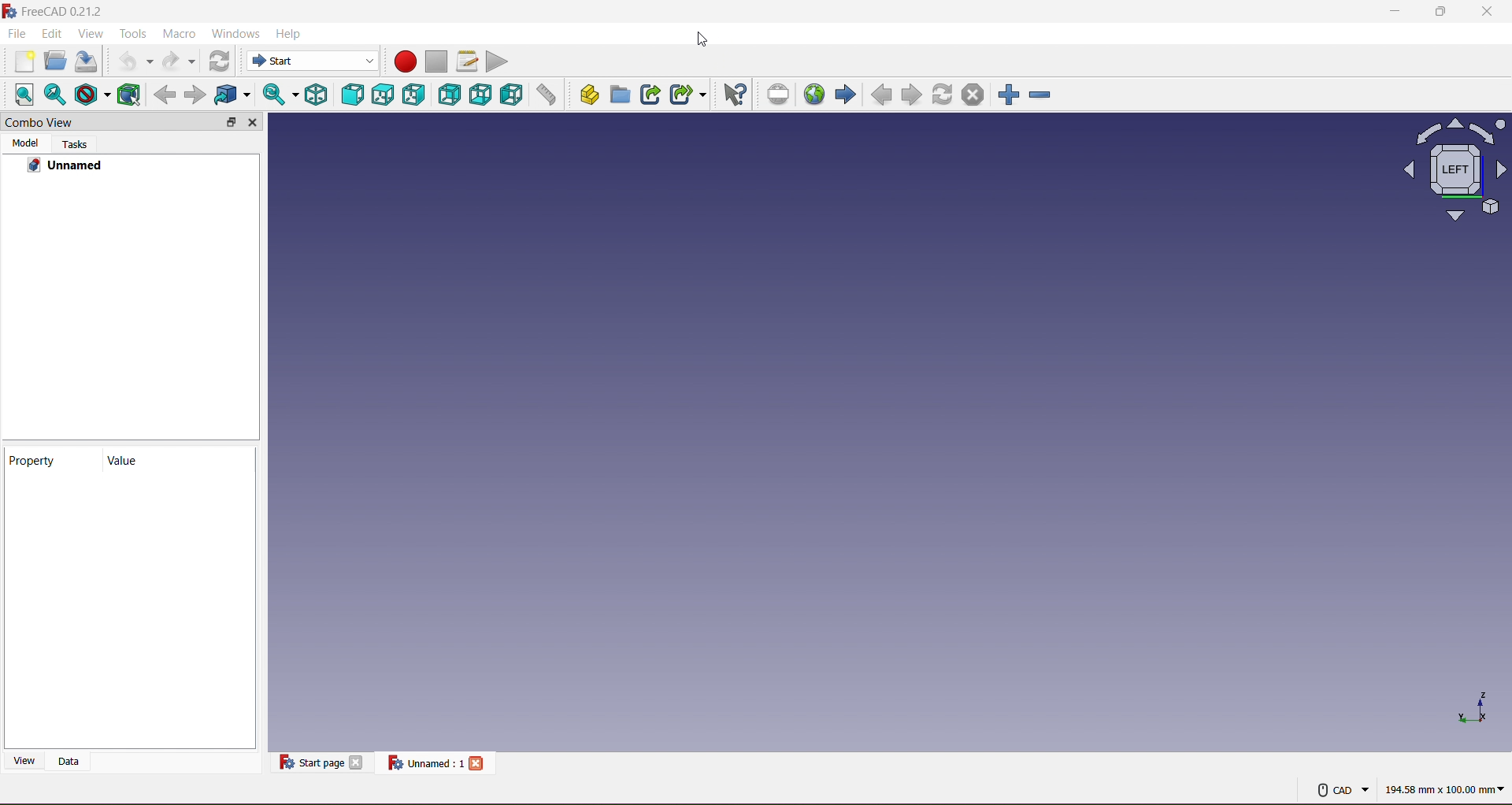  Describe the element at coordinates (687, 94) in the screenshot. I see `Make Sub link` at that location.